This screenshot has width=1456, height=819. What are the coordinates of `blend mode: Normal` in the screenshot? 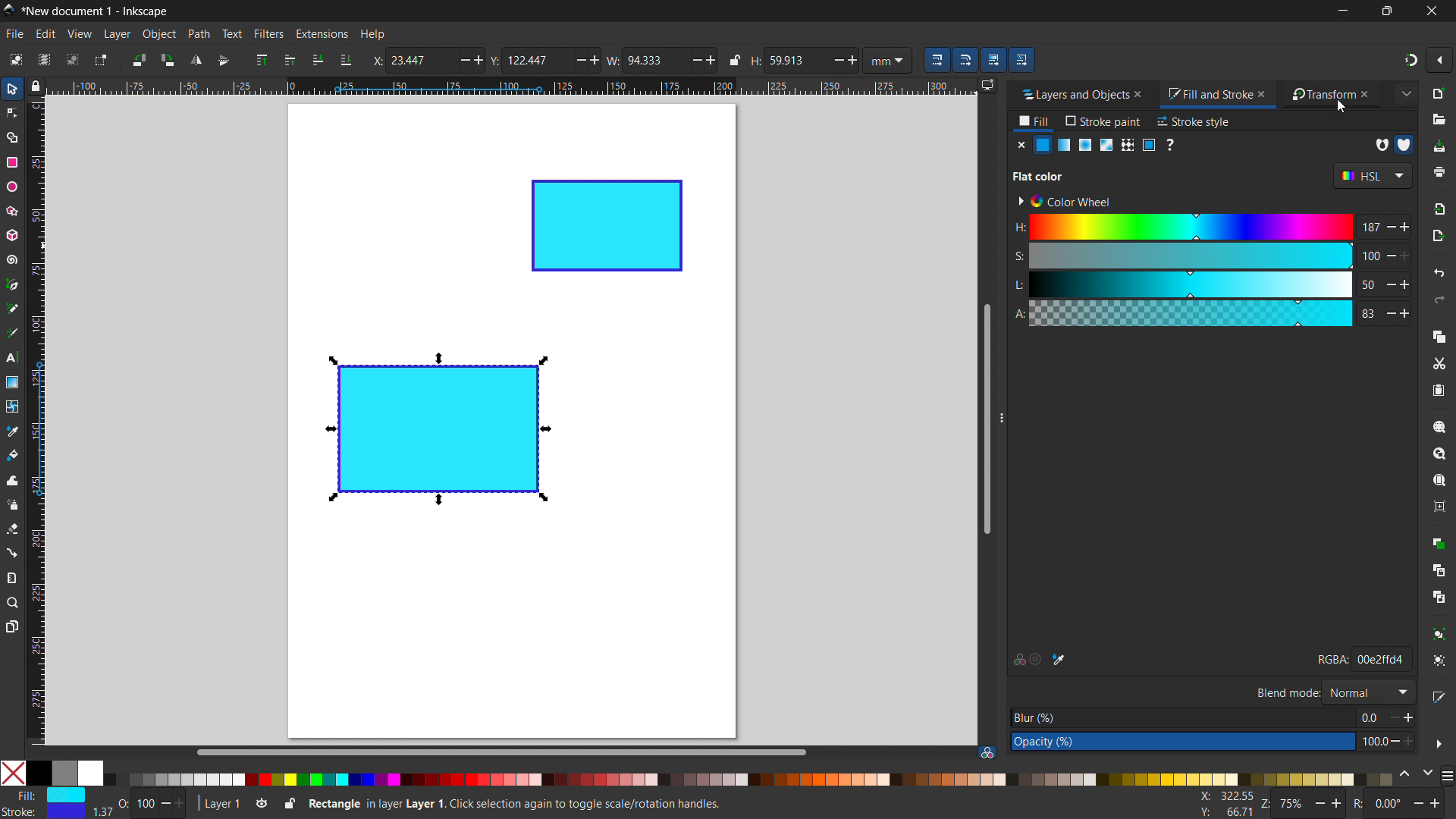 It's located at (1333, 692).